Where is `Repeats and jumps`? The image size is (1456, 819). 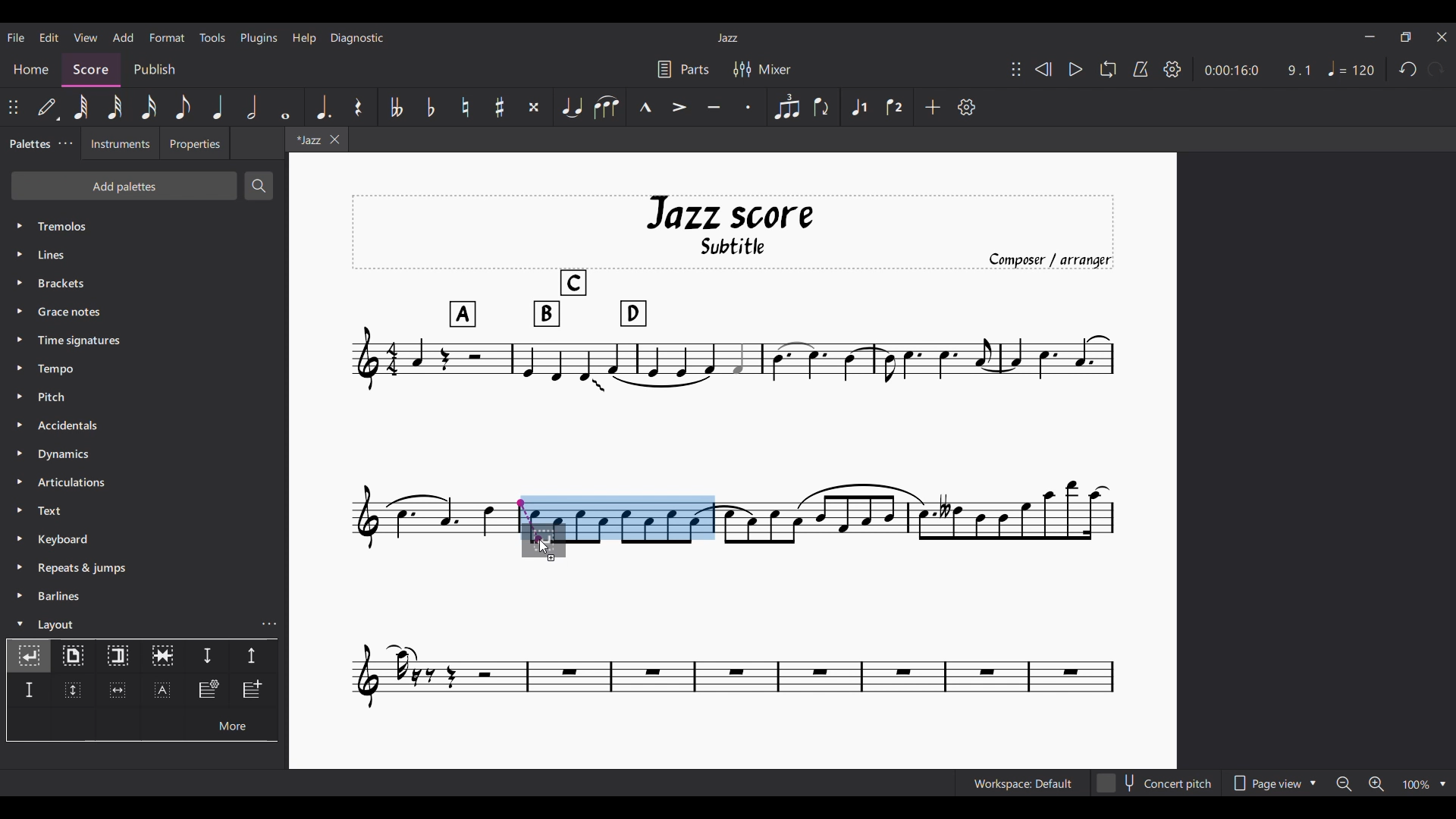 Repeats and jumps is located at coordinates (144, 568).